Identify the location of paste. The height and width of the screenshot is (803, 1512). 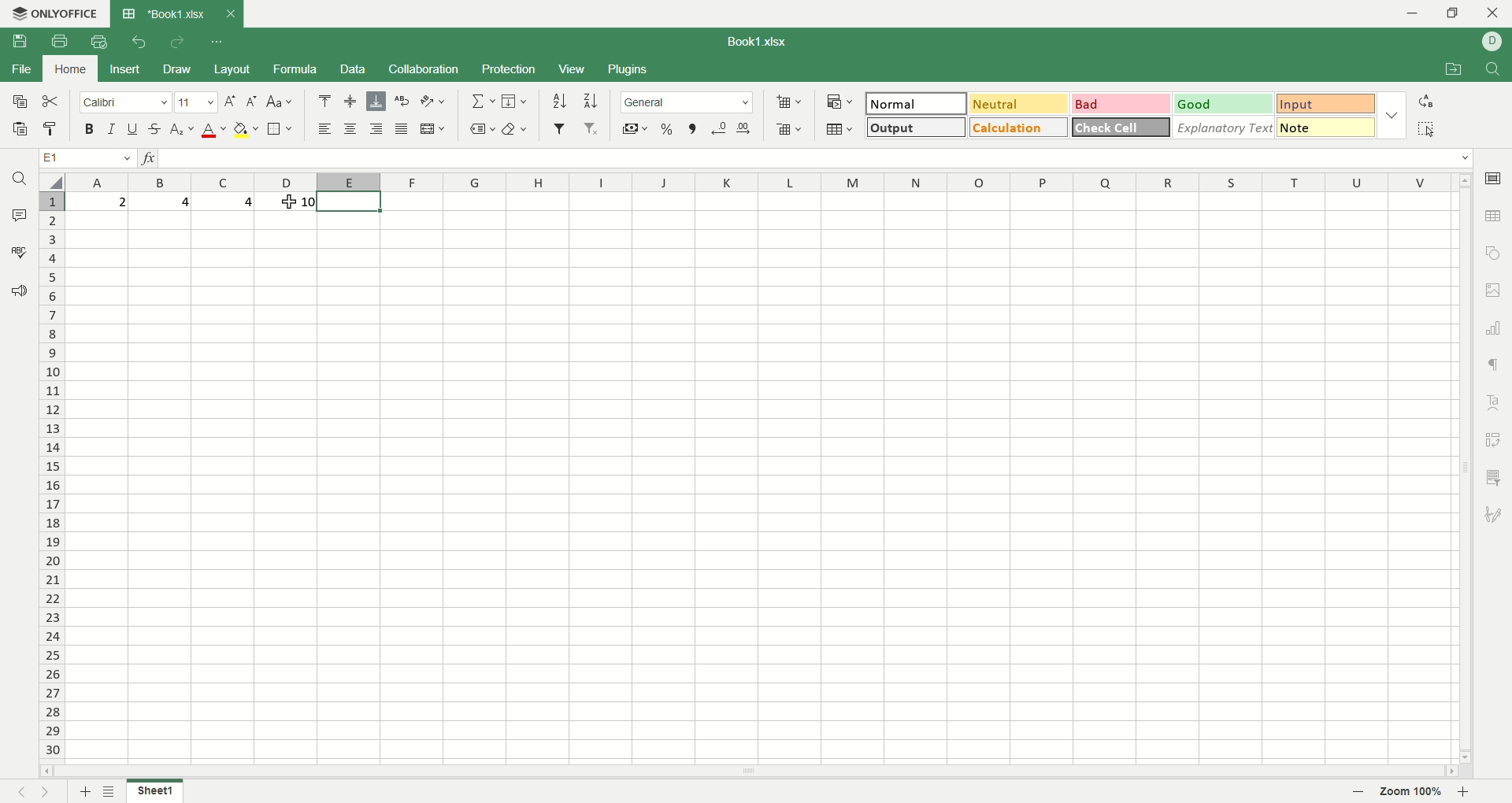
(17, 128).